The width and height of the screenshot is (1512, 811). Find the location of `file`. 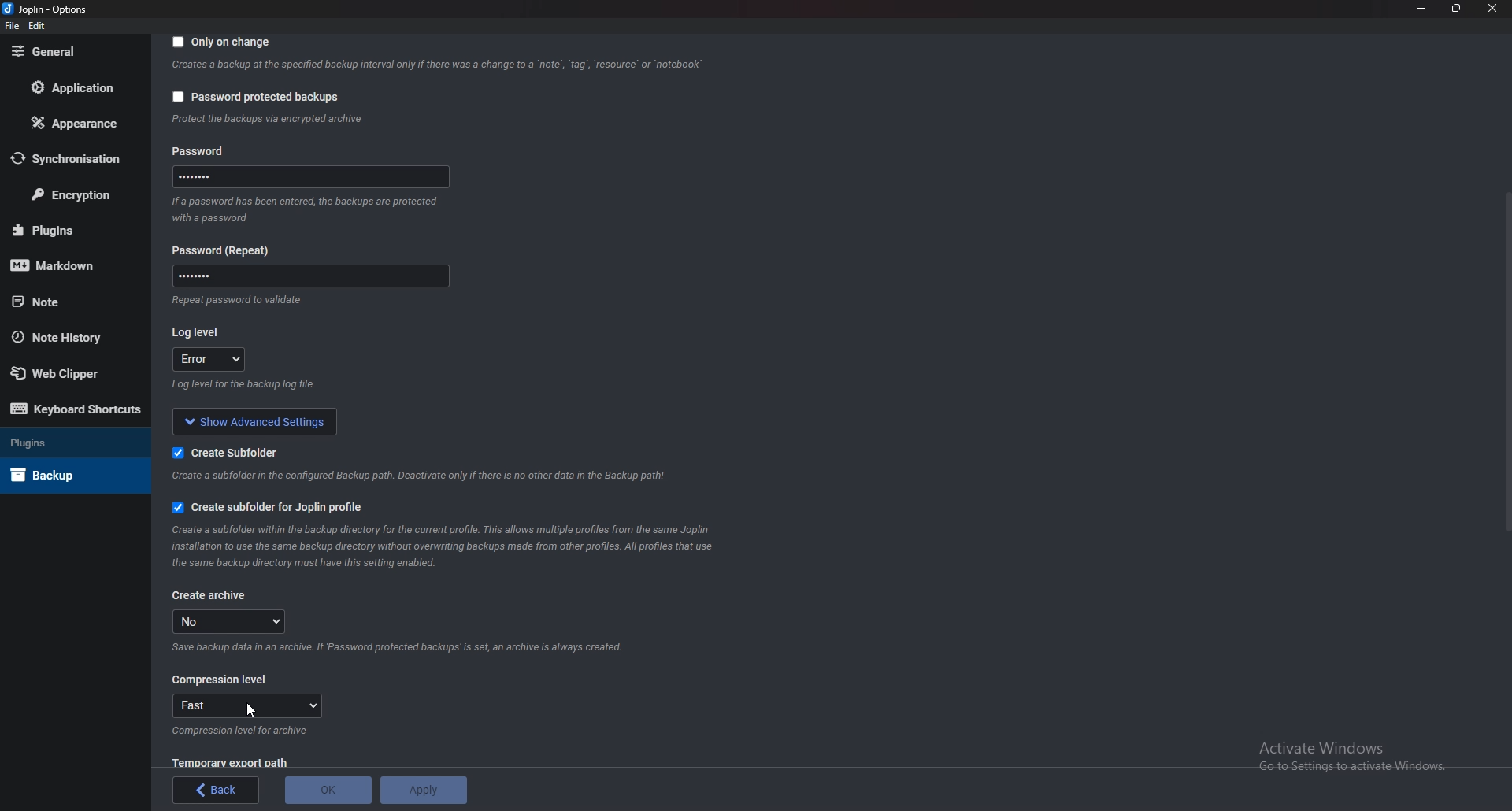

file is located at coordinates (11, 27).